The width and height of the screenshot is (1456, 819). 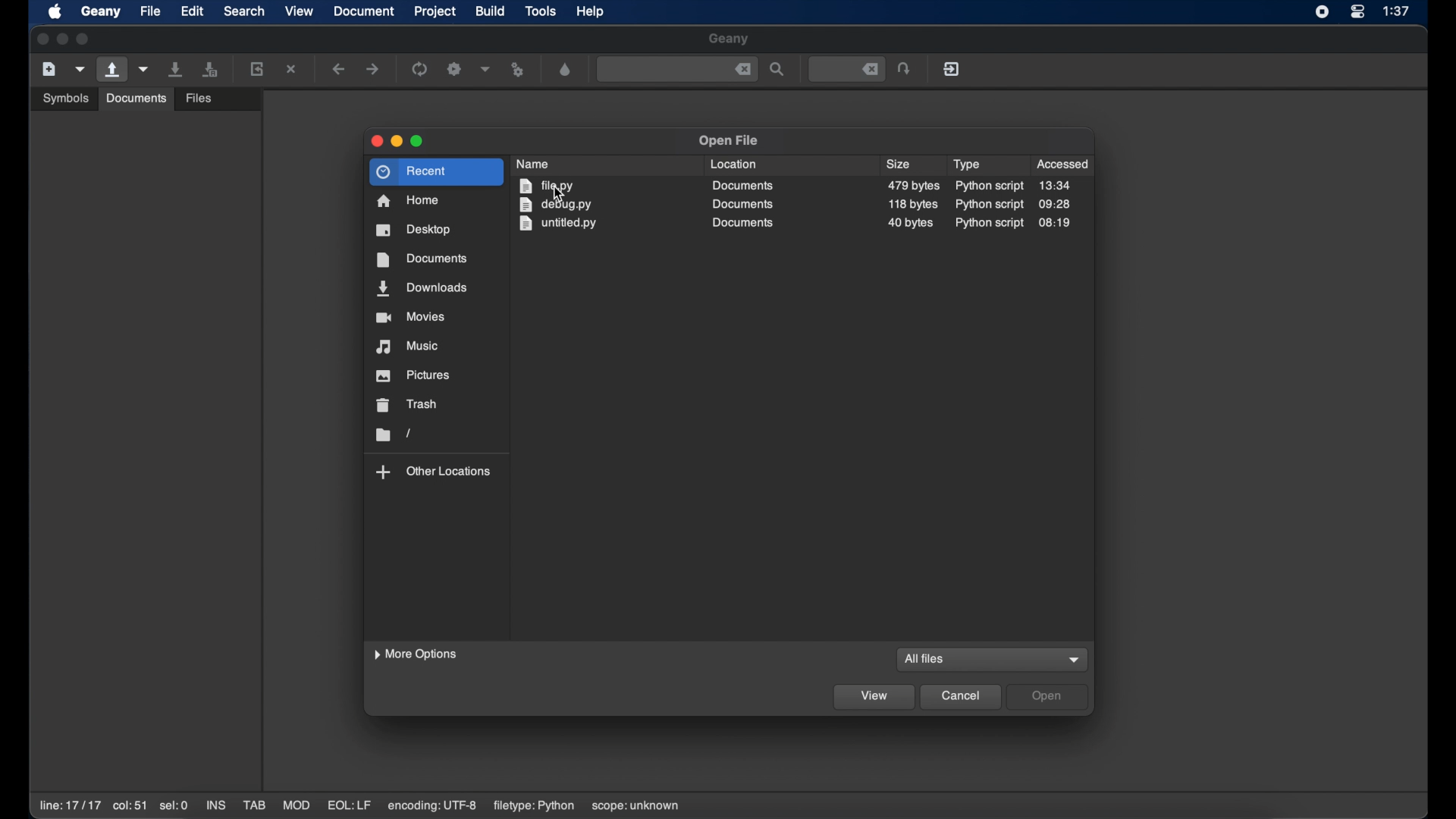 What do you see at coordinates (340, 69) in the screenshot?
I see `navigate back a location` at bounding box center [340, 69].